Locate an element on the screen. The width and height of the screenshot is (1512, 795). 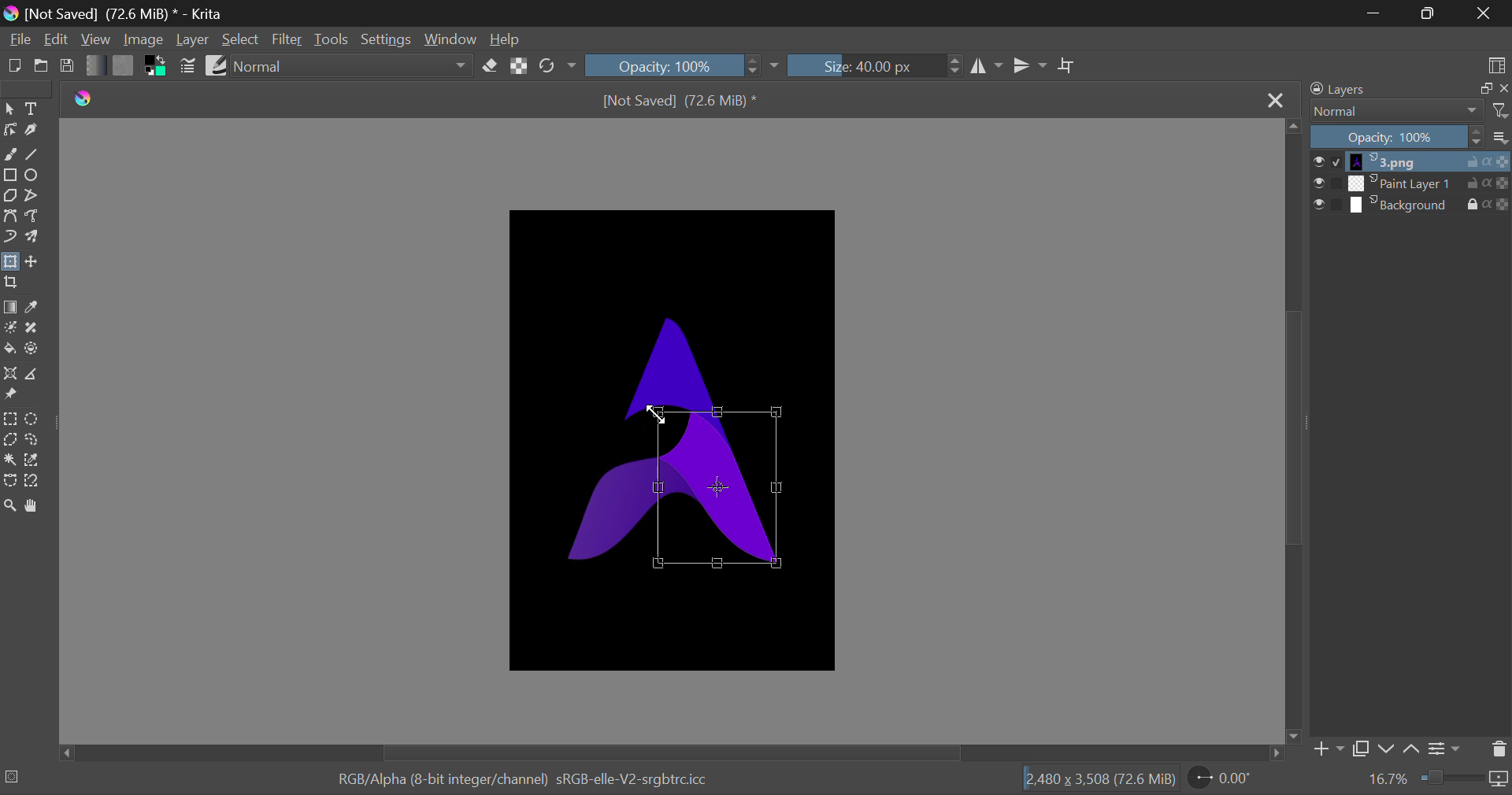
Pattern is located at coordinates (123, 65).